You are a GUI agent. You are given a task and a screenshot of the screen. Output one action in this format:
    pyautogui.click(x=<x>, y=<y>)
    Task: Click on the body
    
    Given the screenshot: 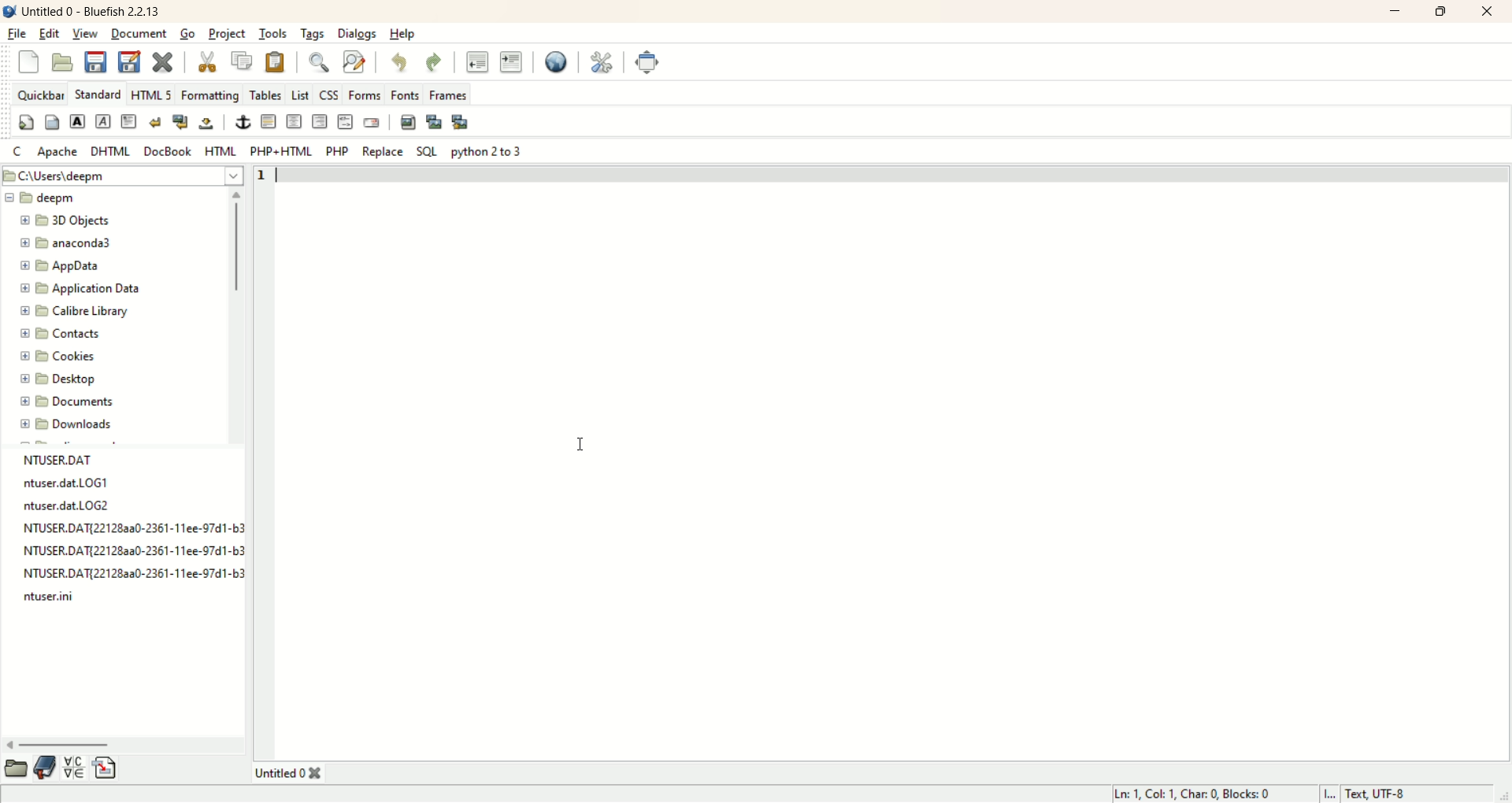 What is the action you would take?
    pyautogui.click(x=54, y=122)
    